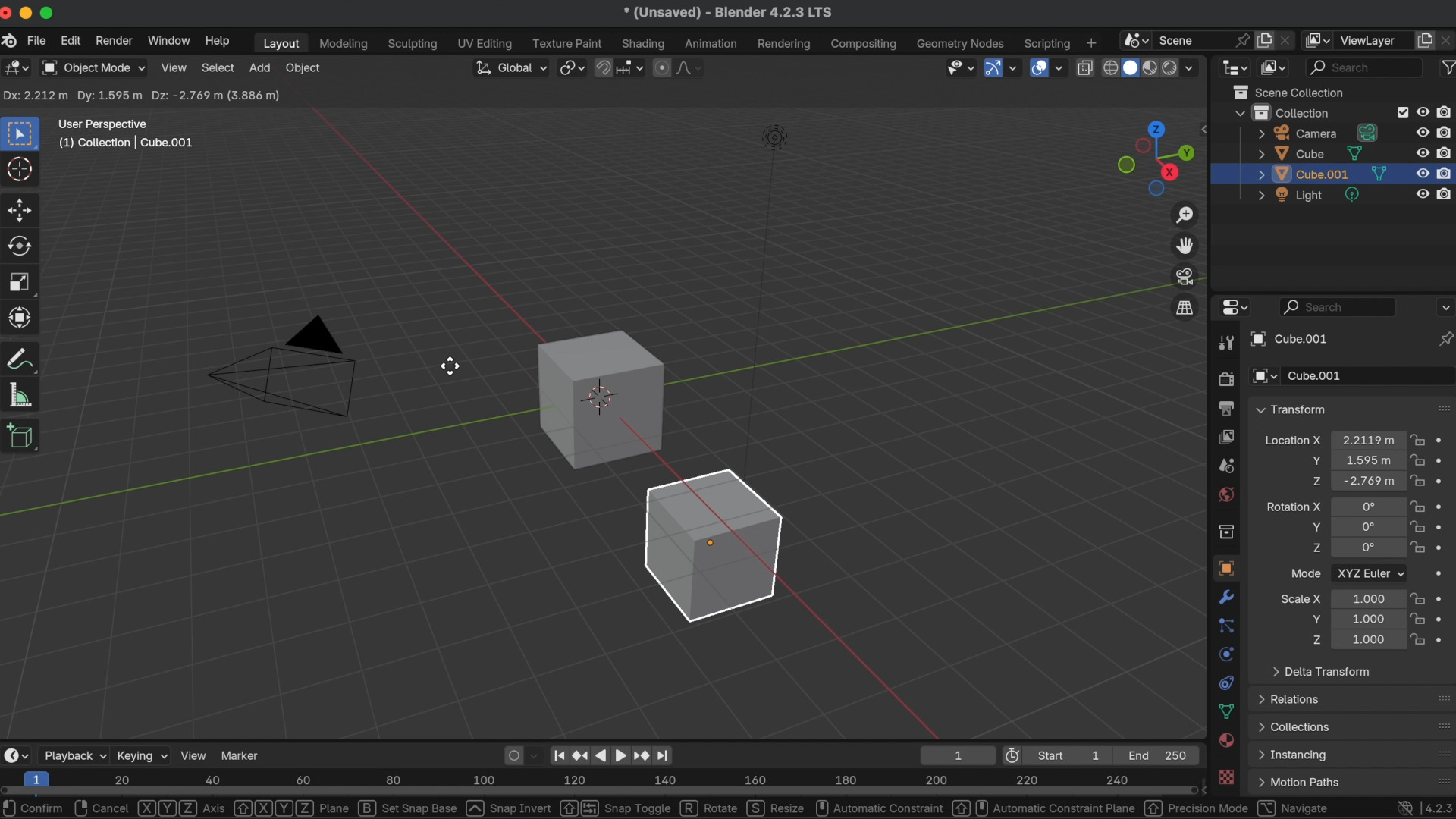 The width and height of the screenshot is (1456, 819). What do you see at coordinates (537, 755) in the screenshot?
I see `auto keyframing` at bounding box center [537, 755].